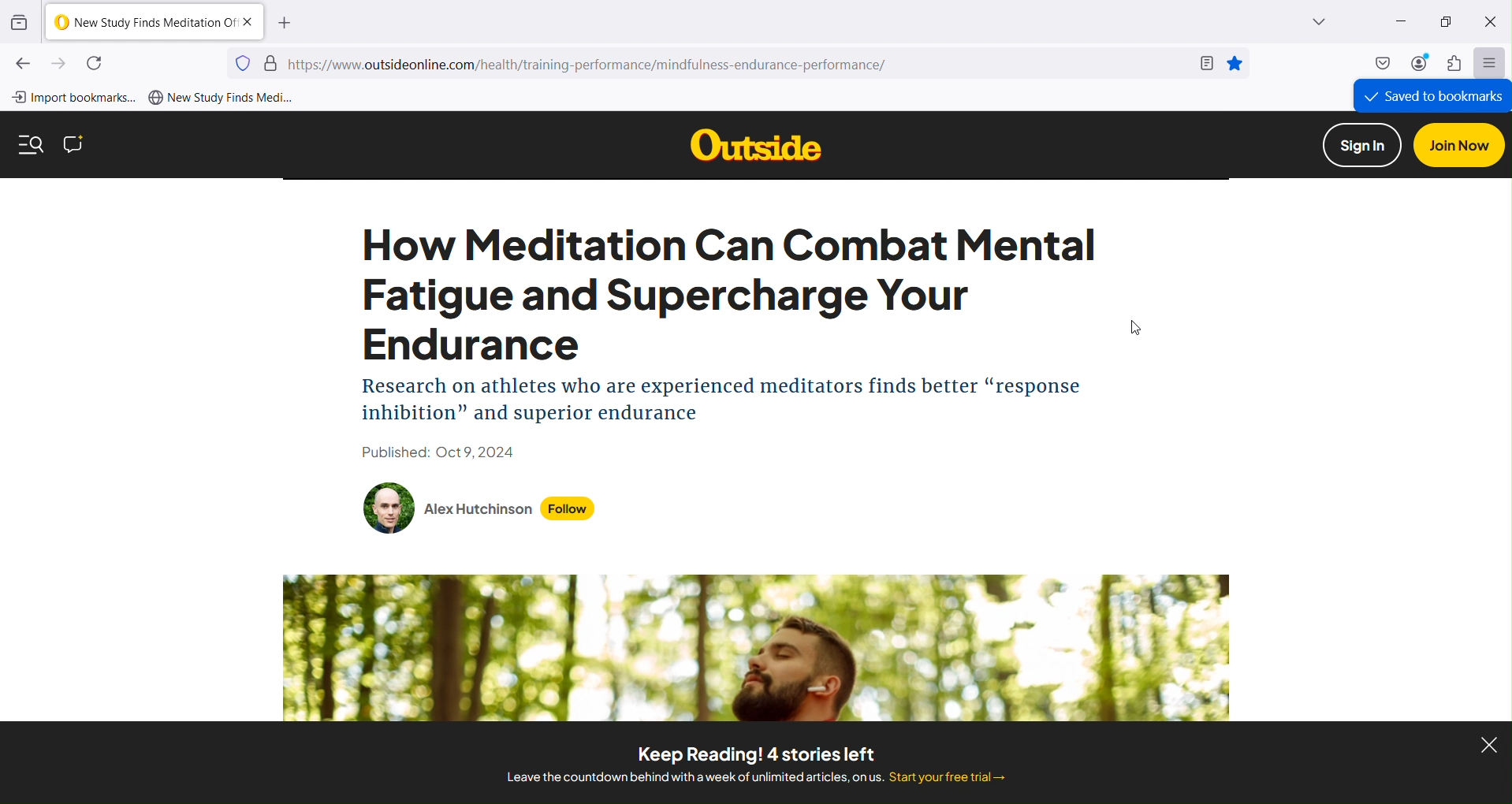 Image resolution: width=1512 pixels, height=804 pixels. I want to click on Save to Pocket, so click(1380, 63).